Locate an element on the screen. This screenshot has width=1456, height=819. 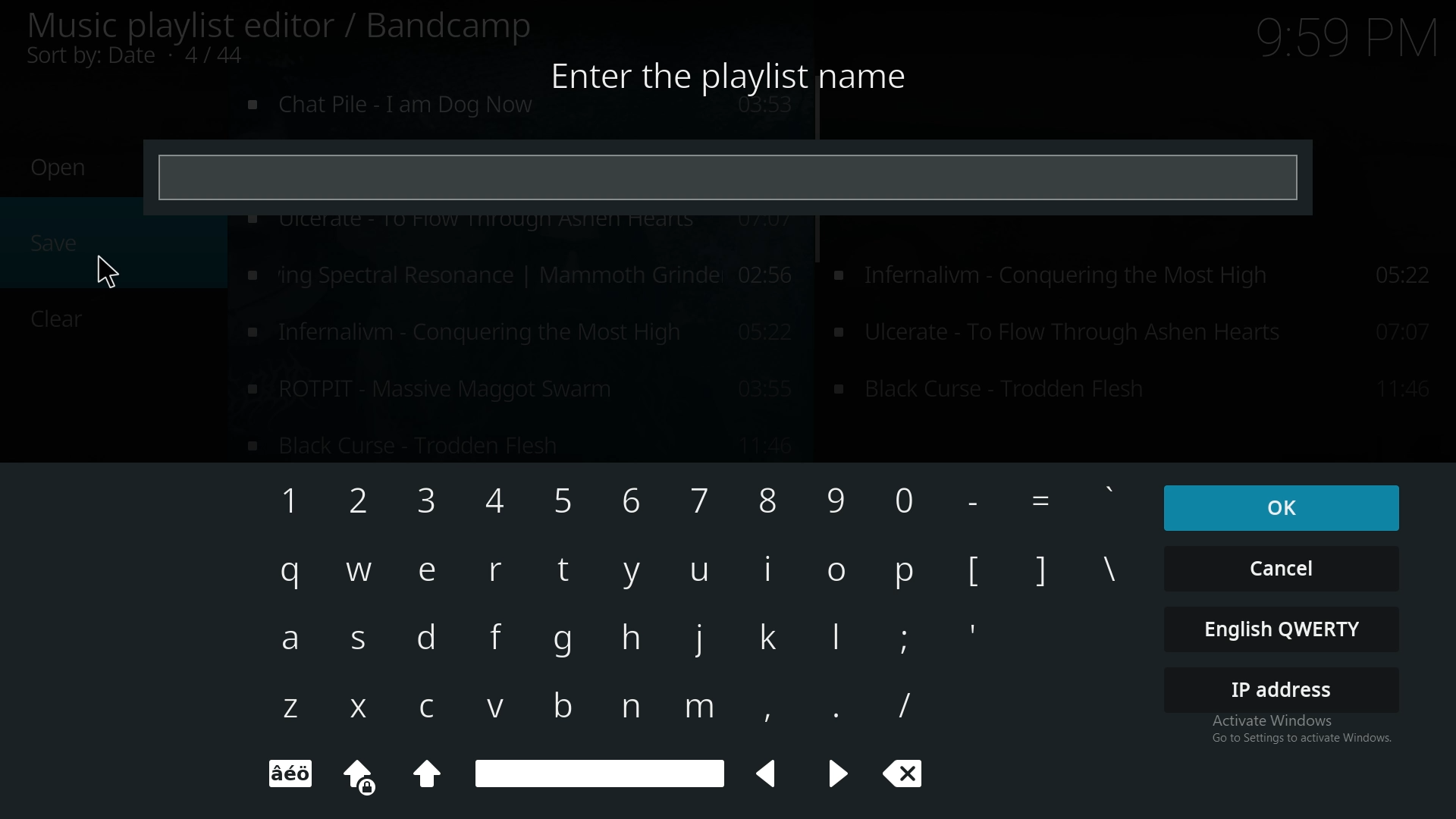
keyboard input is located at coordinates (767, 573).